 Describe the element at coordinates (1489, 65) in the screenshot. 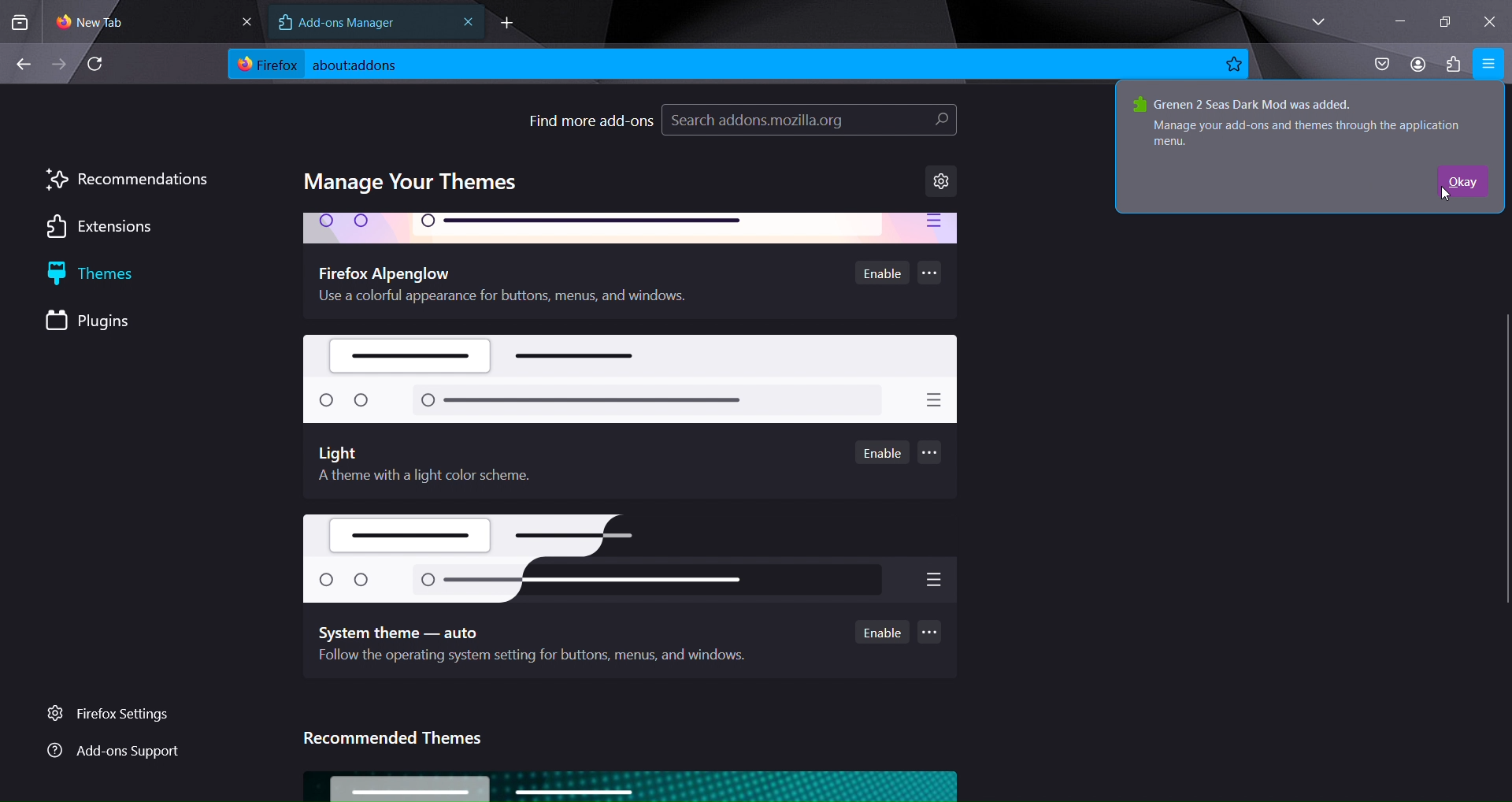

I see `open application menu` at that location.